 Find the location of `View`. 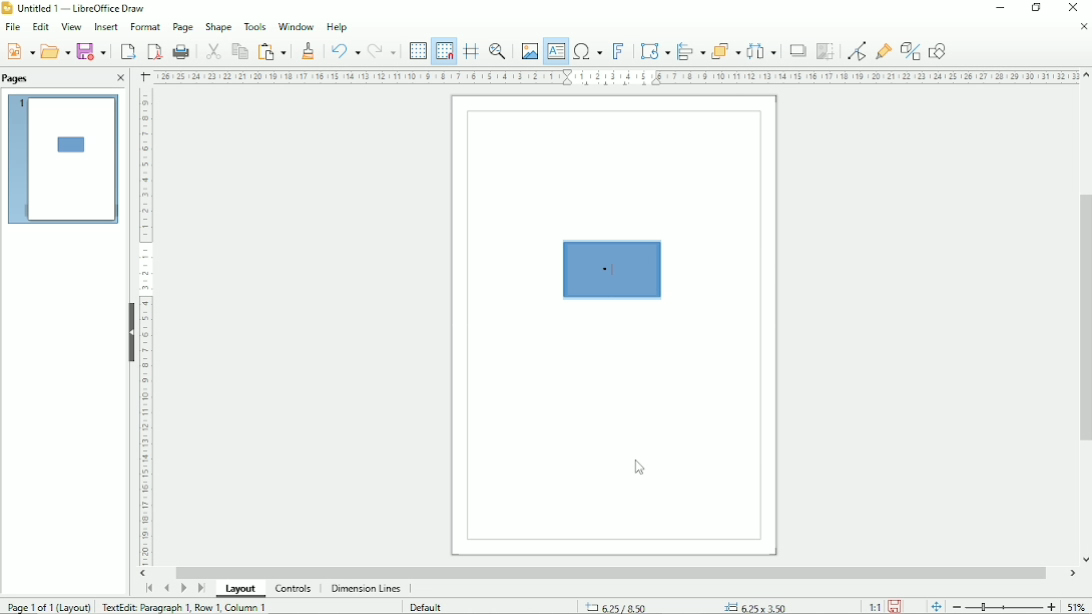

View is located at coordinates (70, 25).